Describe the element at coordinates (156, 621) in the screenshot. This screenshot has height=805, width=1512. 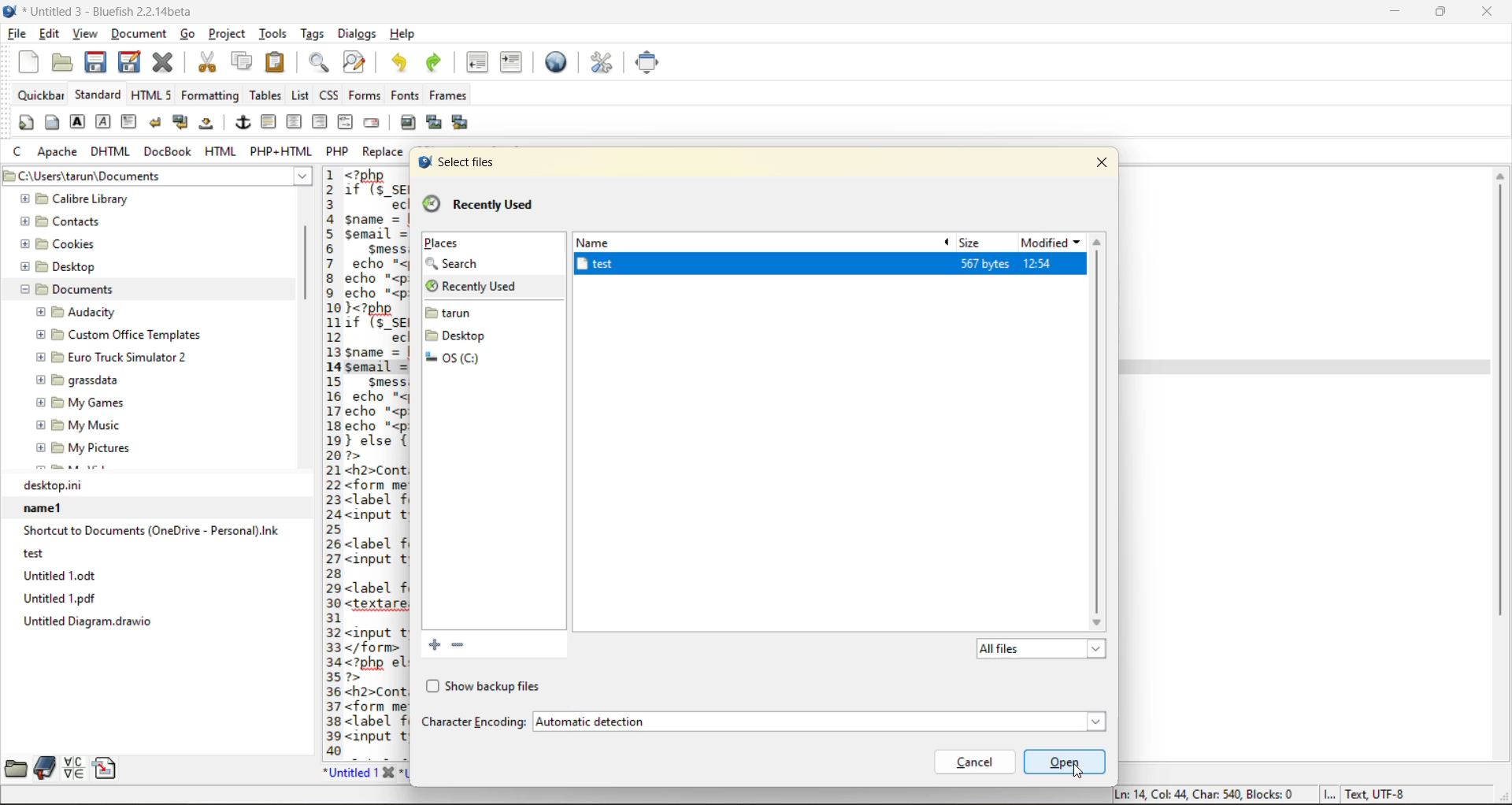
I see `untitle diagram.drawio` at that location.